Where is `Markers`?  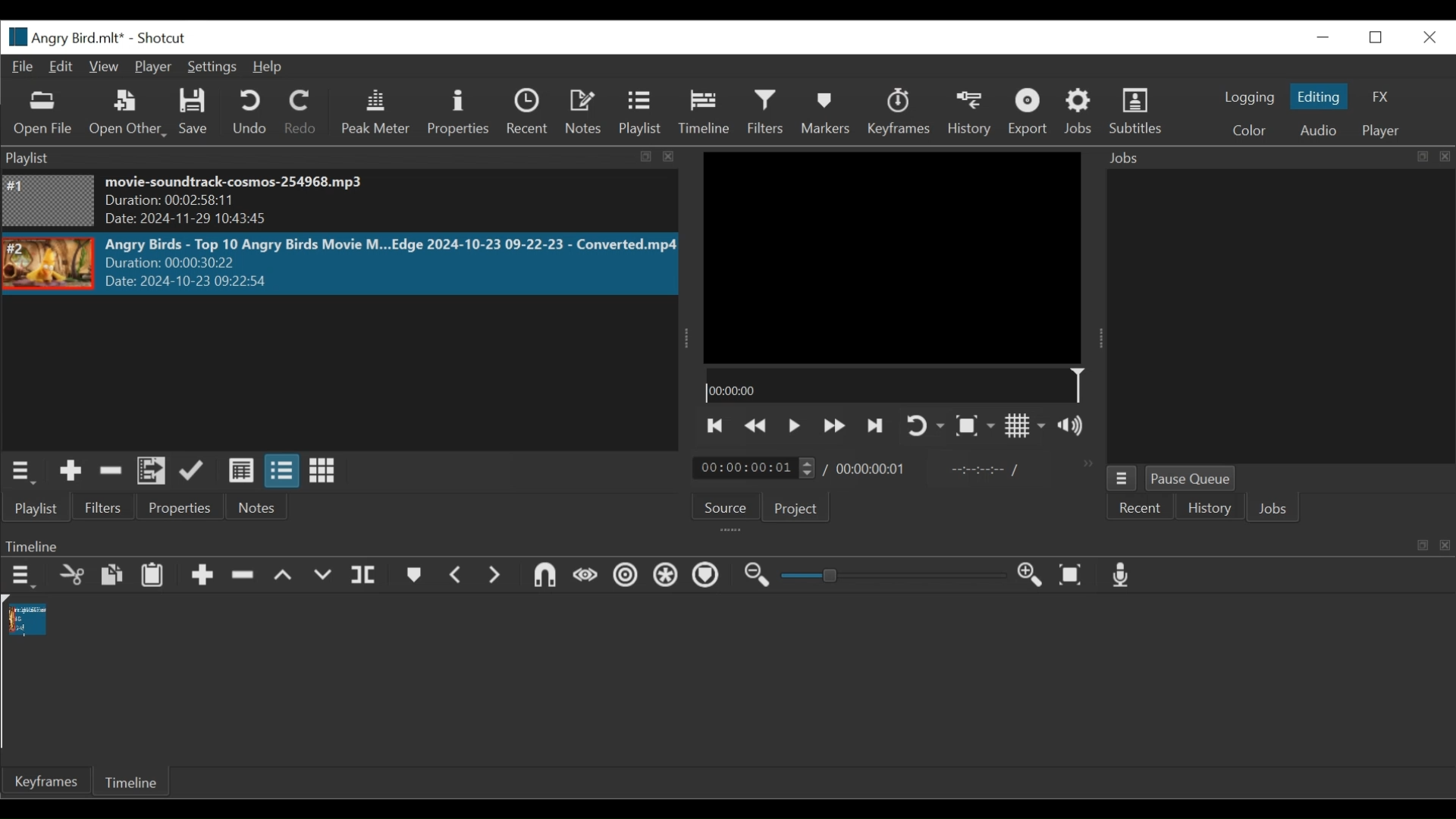
Markers is located at coordinates (826, 112).